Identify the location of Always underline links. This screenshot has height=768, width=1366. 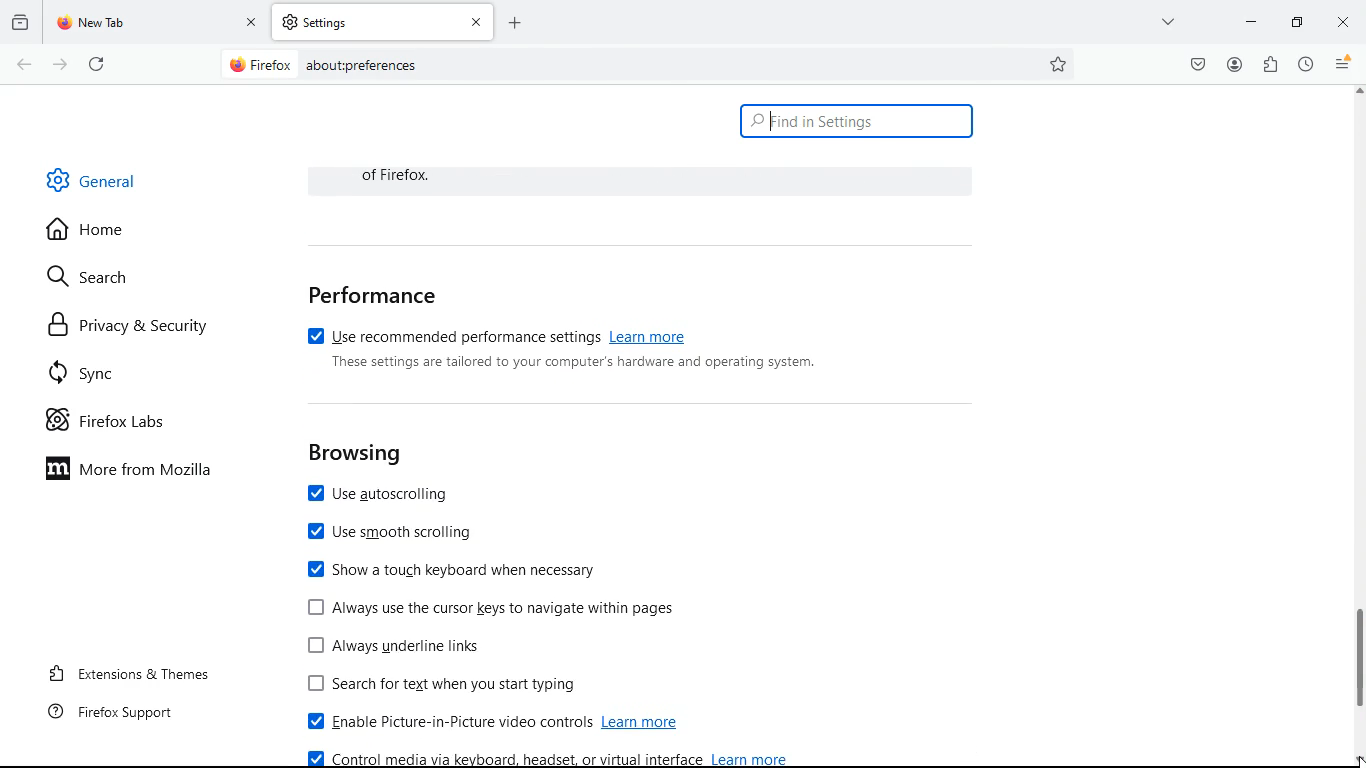
(398, 644).